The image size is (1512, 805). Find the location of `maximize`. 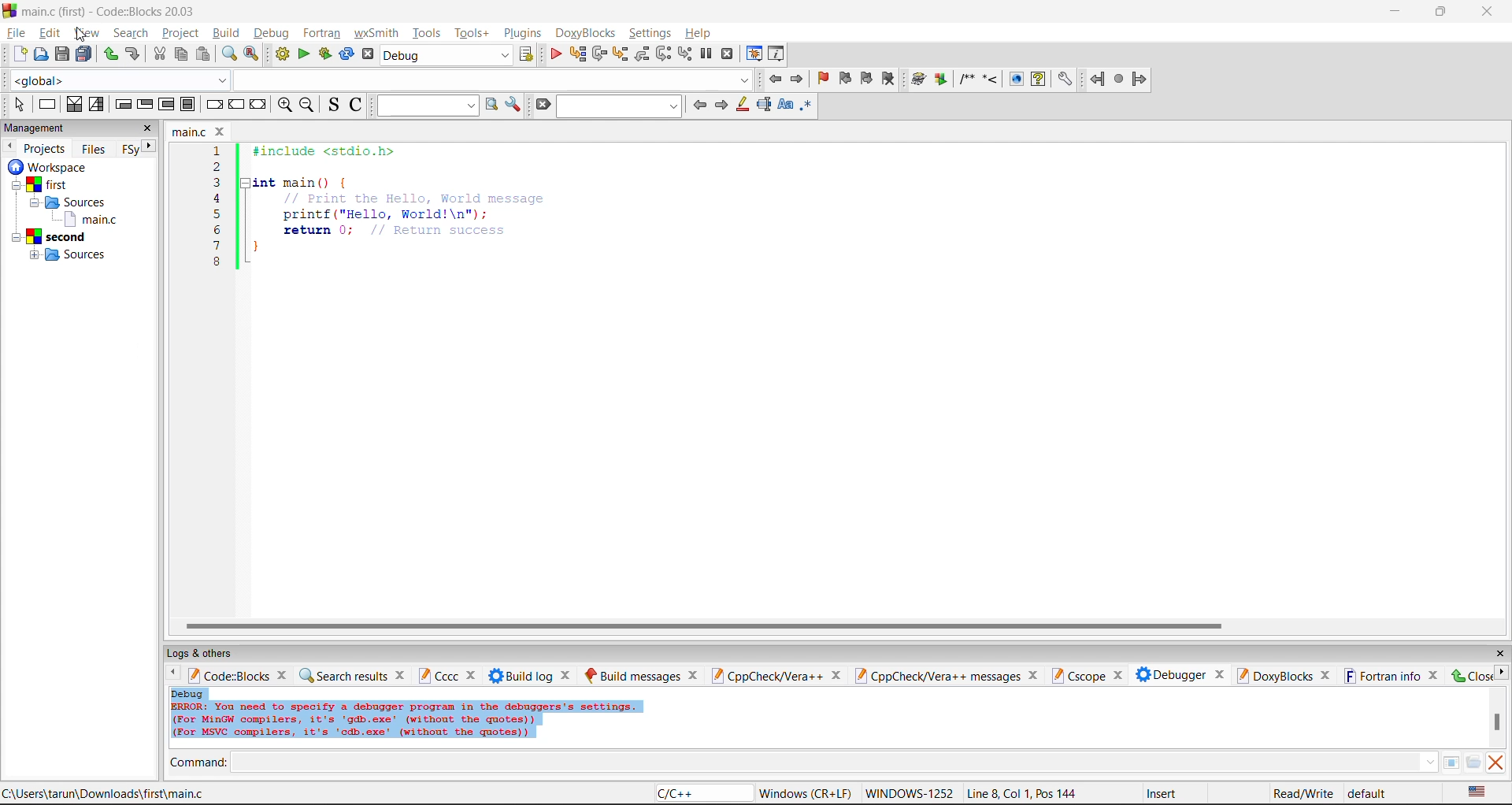

maximize is located at coordinates (1444, 13).